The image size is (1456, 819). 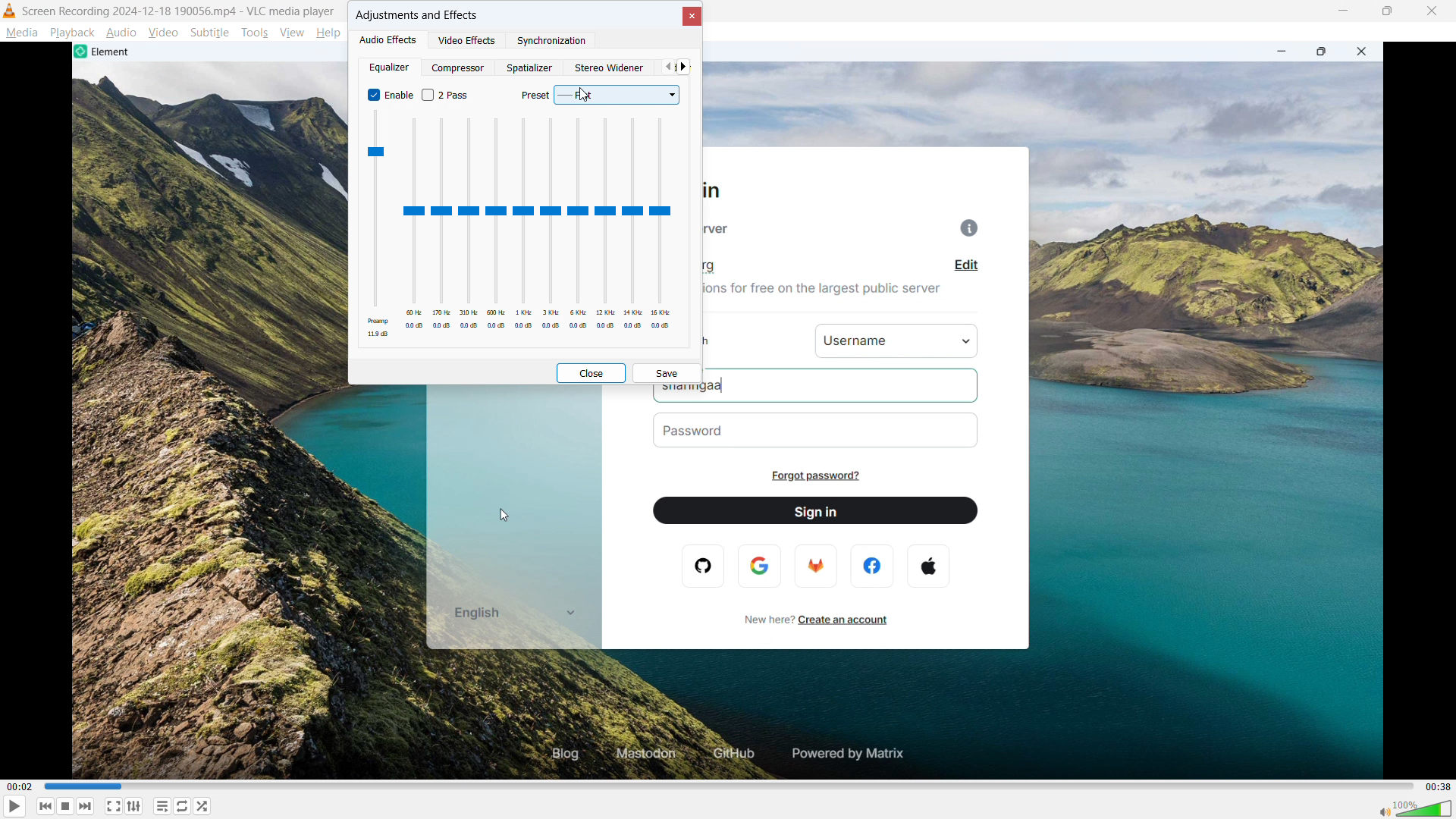 I want to click on Tools , so click(x=254, y=33).